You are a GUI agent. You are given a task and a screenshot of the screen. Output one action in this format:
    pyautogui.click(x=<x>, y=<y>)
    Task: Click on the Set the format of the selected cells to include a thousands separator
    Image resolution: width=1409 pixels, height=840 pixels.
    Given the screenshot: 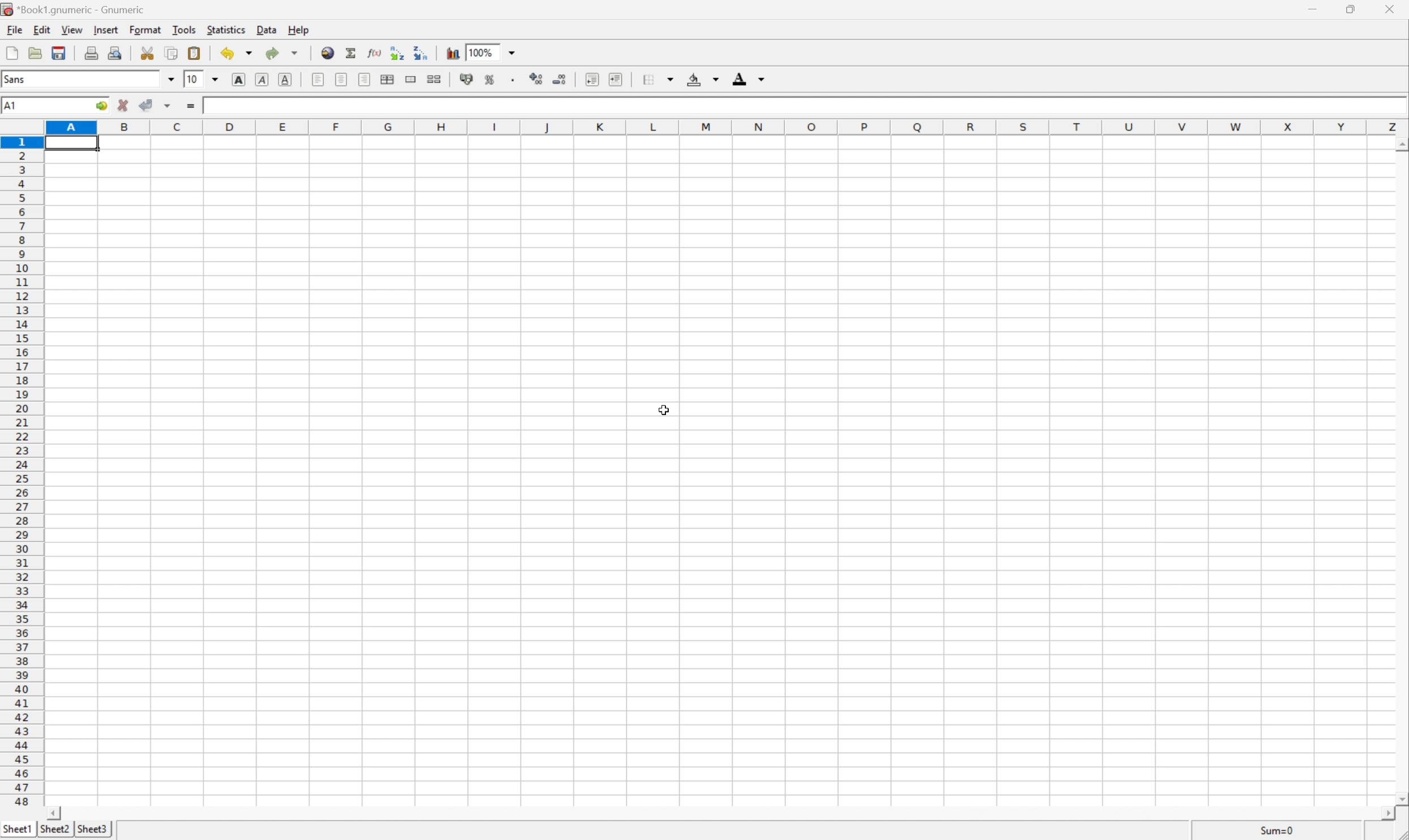 What is the action you would take?
    pyautogui.click(x=514, y=79)
    